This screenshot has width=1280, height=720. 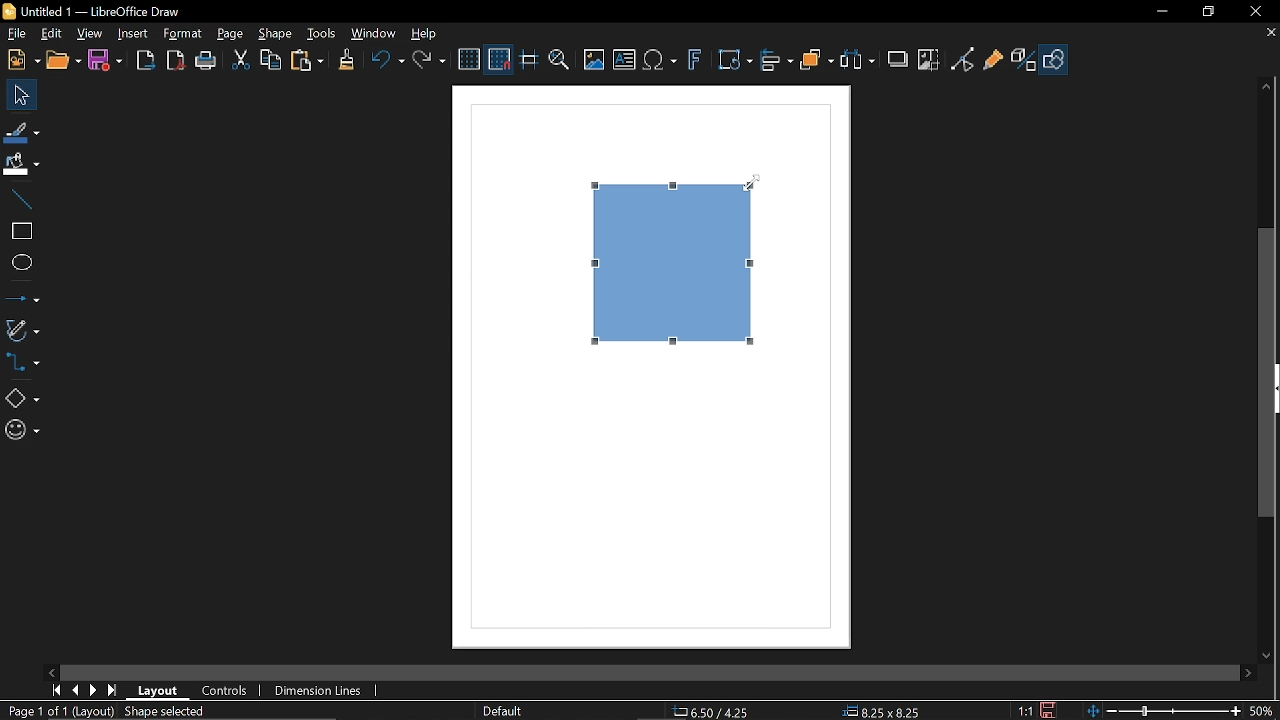 What do you see at coordinates (592, 60) in the screenshot?
I see `Insert image` at bounding box center [592, 60].